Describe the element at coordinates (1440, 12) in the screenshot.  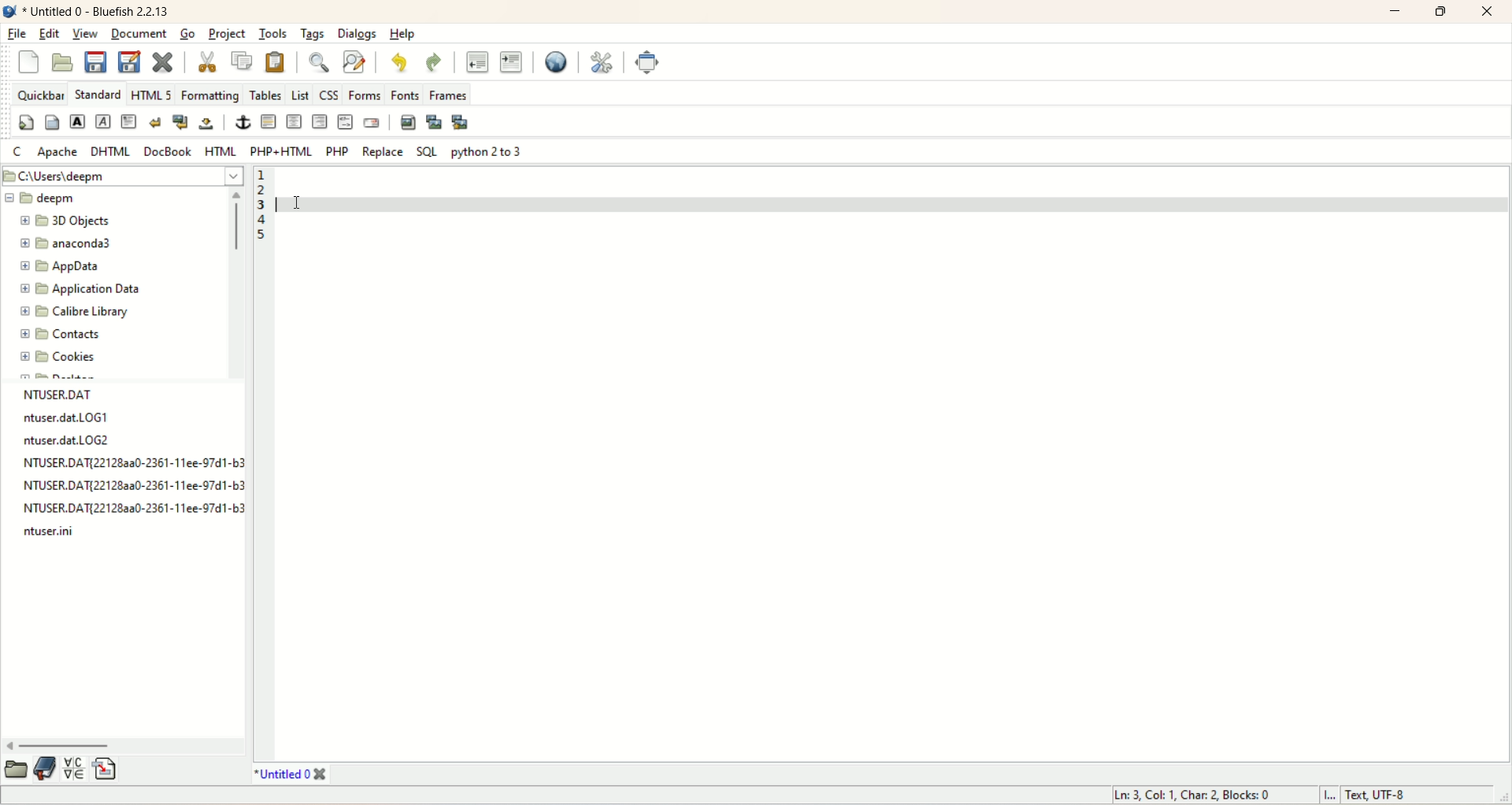
I see `maximize` at that location.